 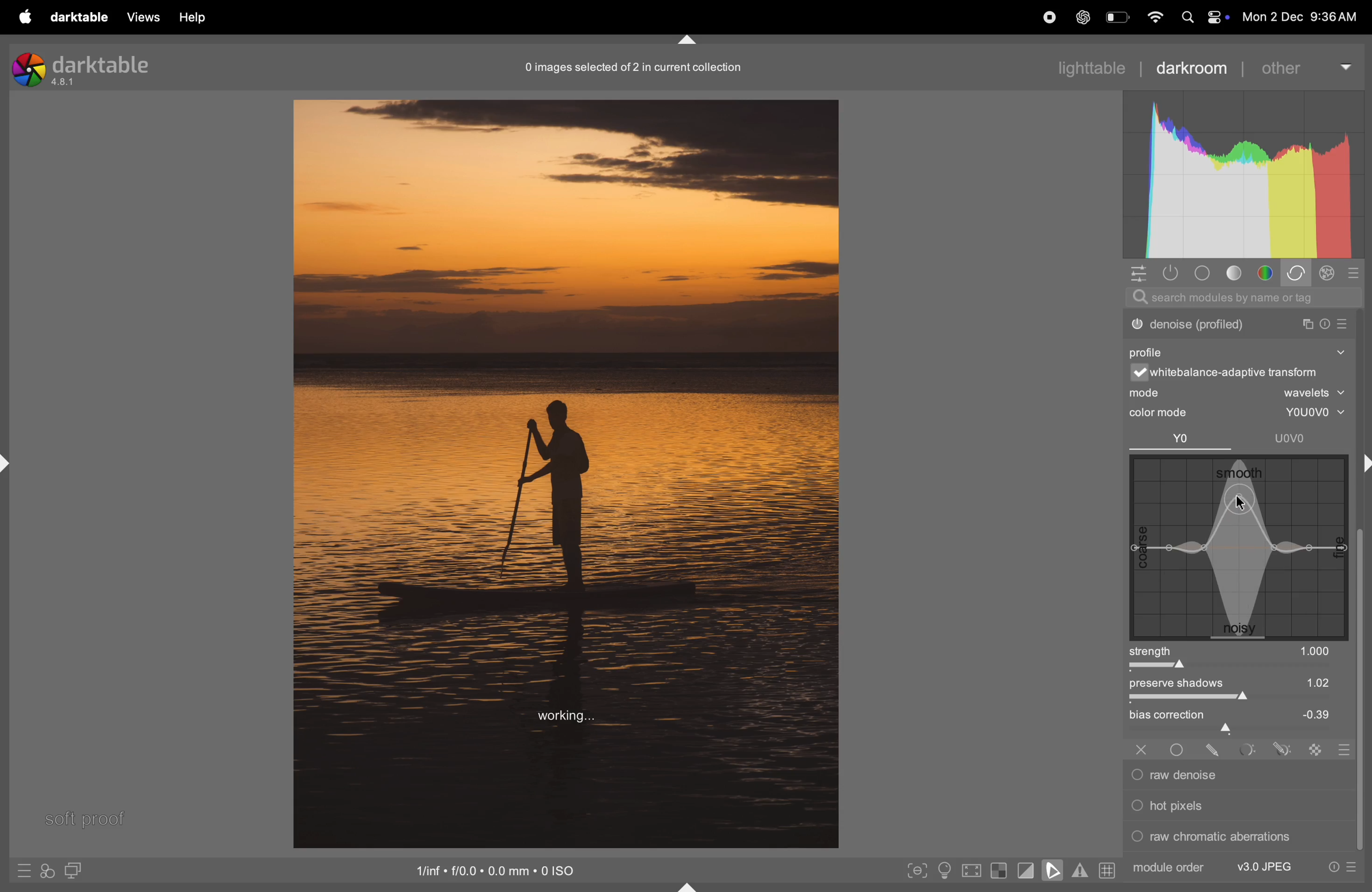 I want to click on raw denoise, so click(x=1232, y=775).